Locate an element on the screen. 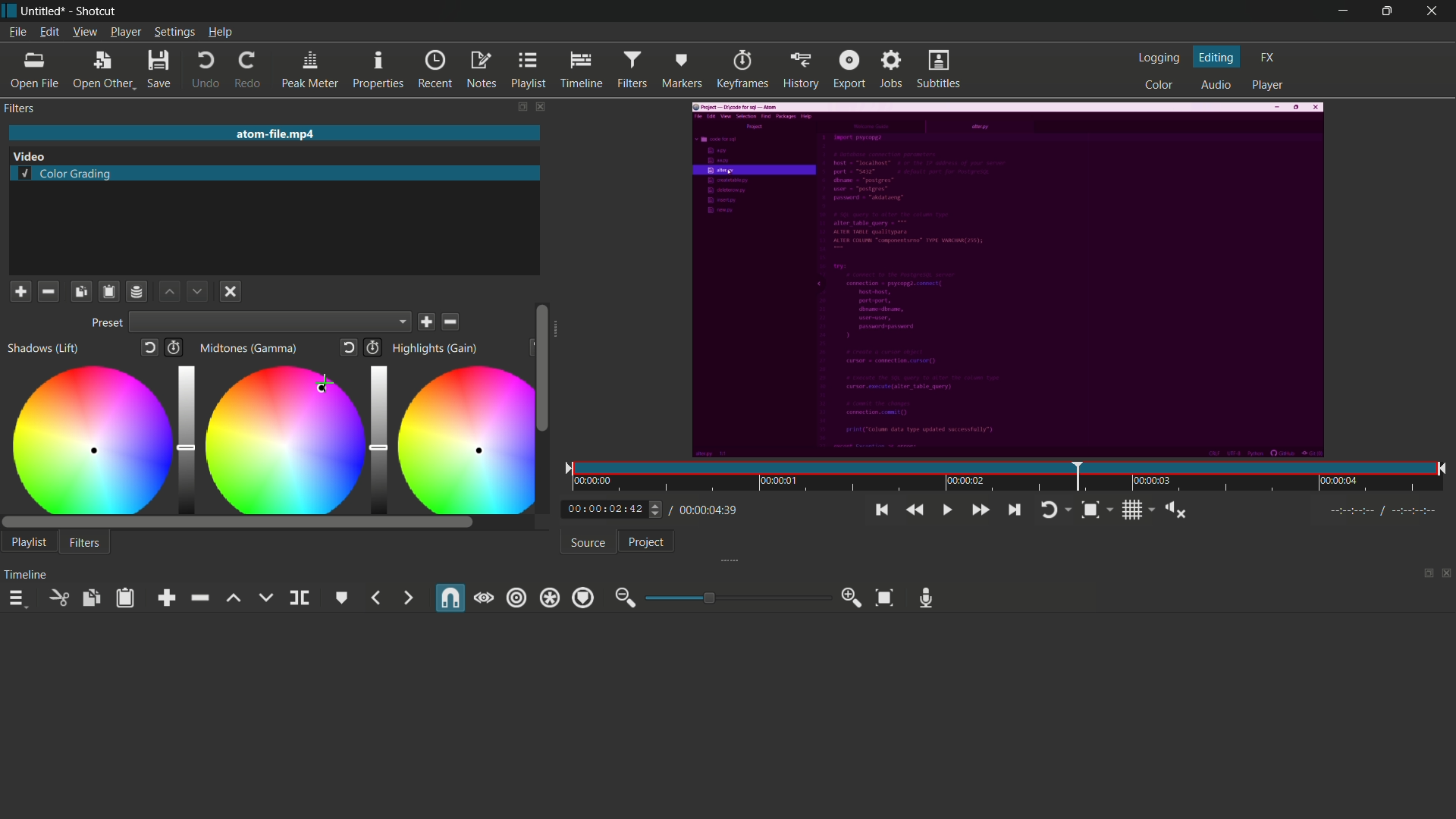  undo is located at coordinates (206, 72).